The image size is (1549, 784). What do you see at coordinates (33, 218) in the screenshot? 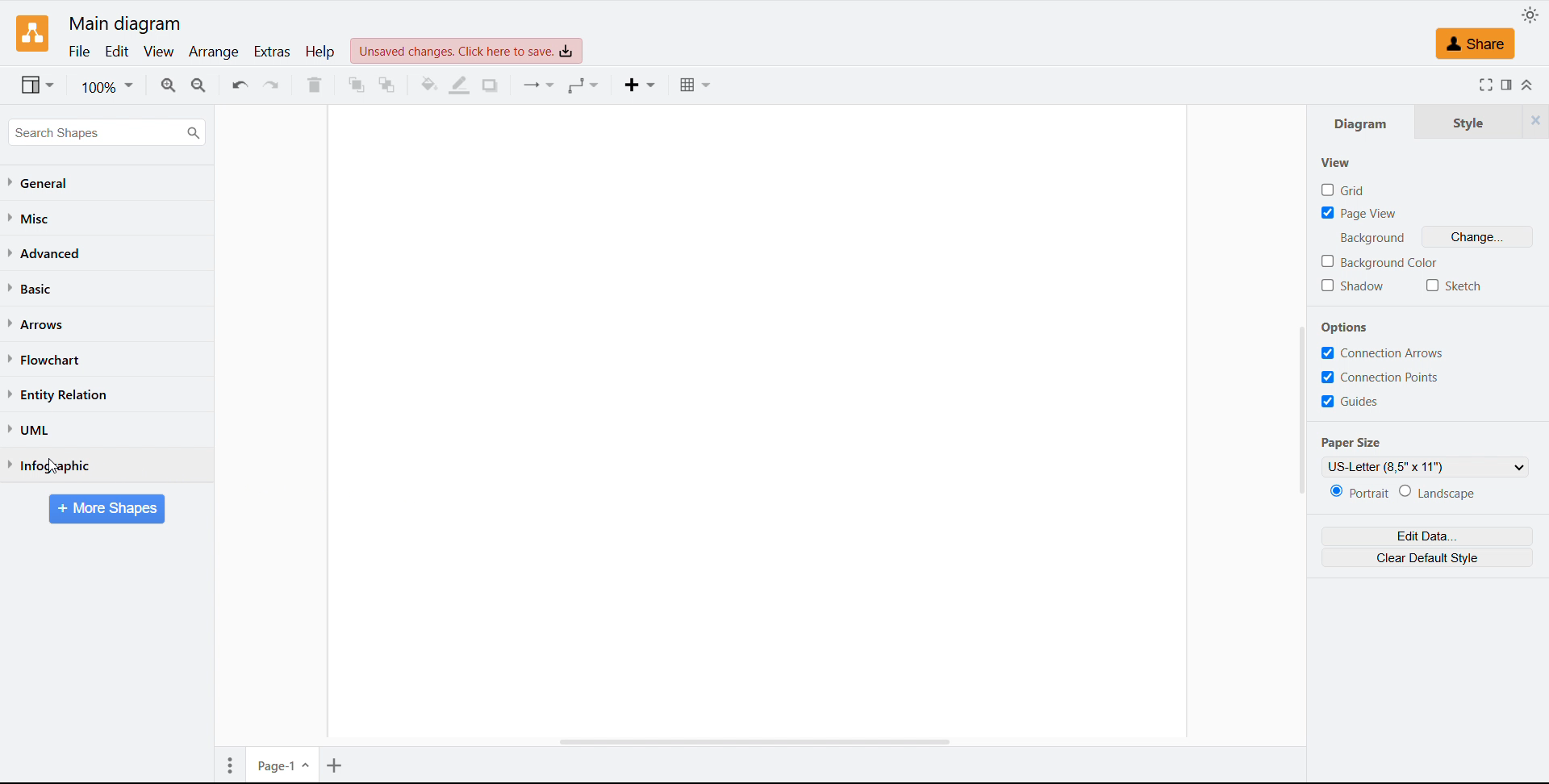
I see `Miscellaneous ` at bounding box center [33, 218].